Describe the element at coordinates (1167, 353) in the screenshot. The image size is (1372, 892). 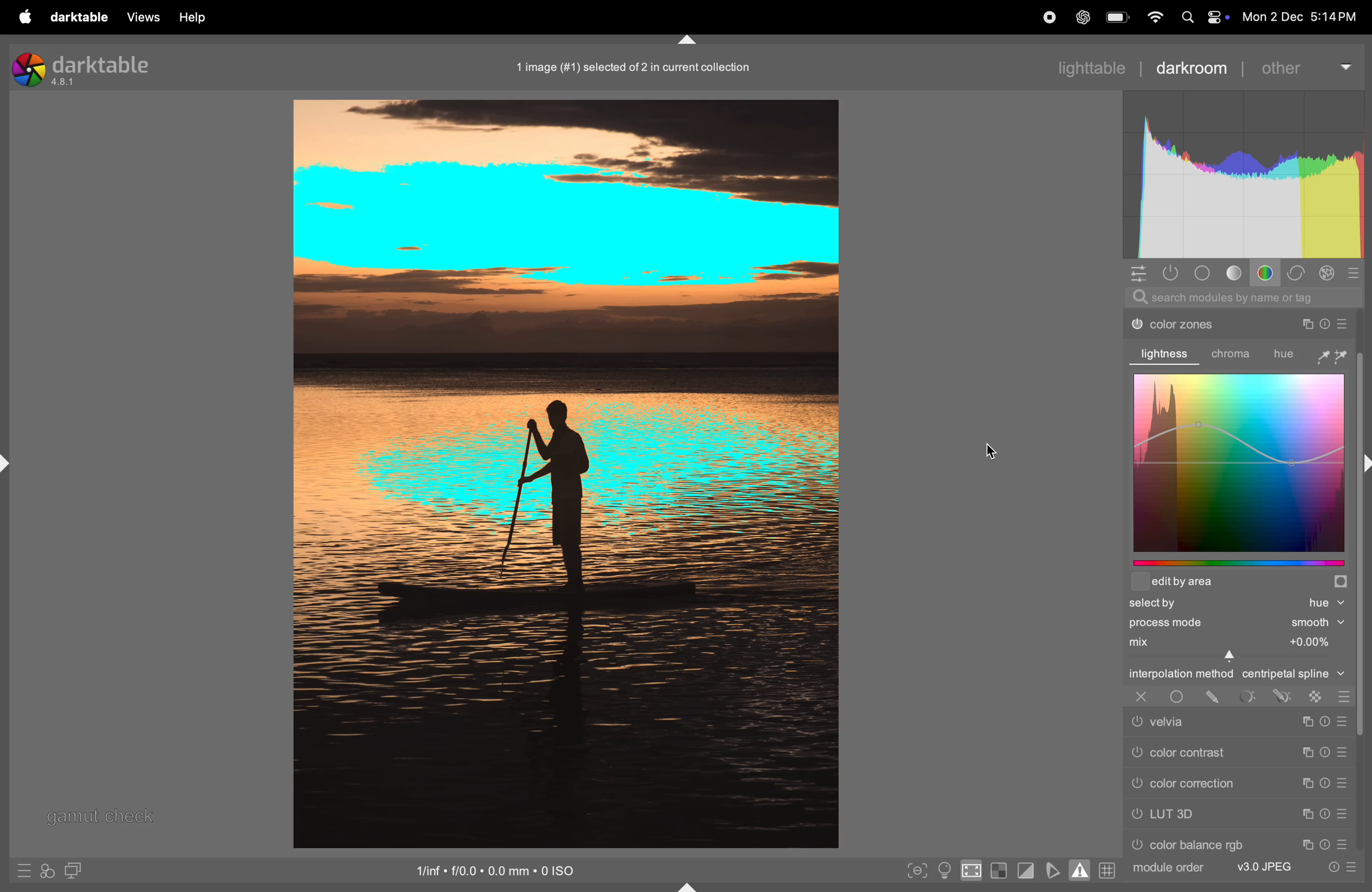
I see `lightness` at that location.